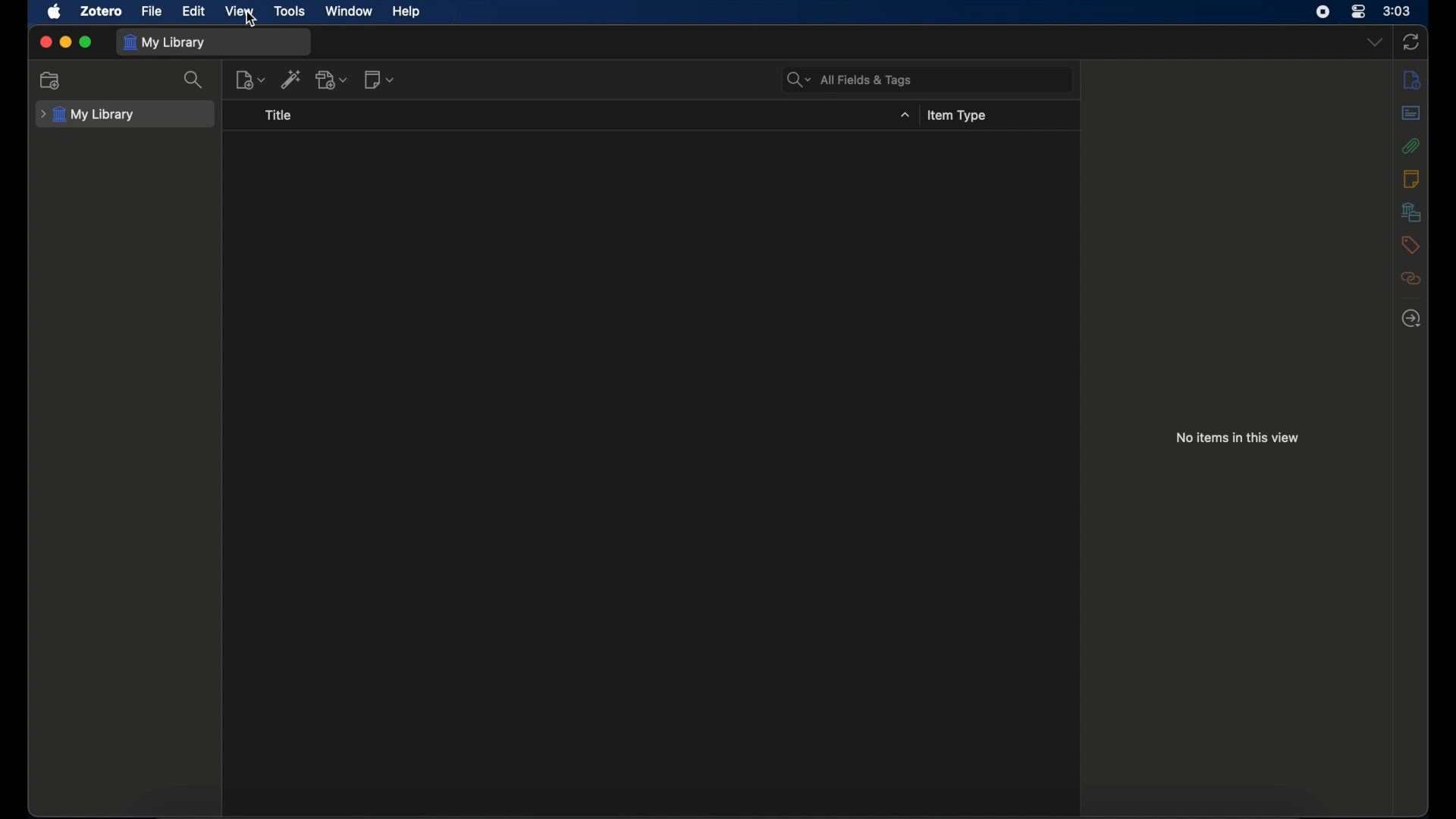  Describe the element at coordinates (1357, 11) in the screenshot. I see `control center` at that location.